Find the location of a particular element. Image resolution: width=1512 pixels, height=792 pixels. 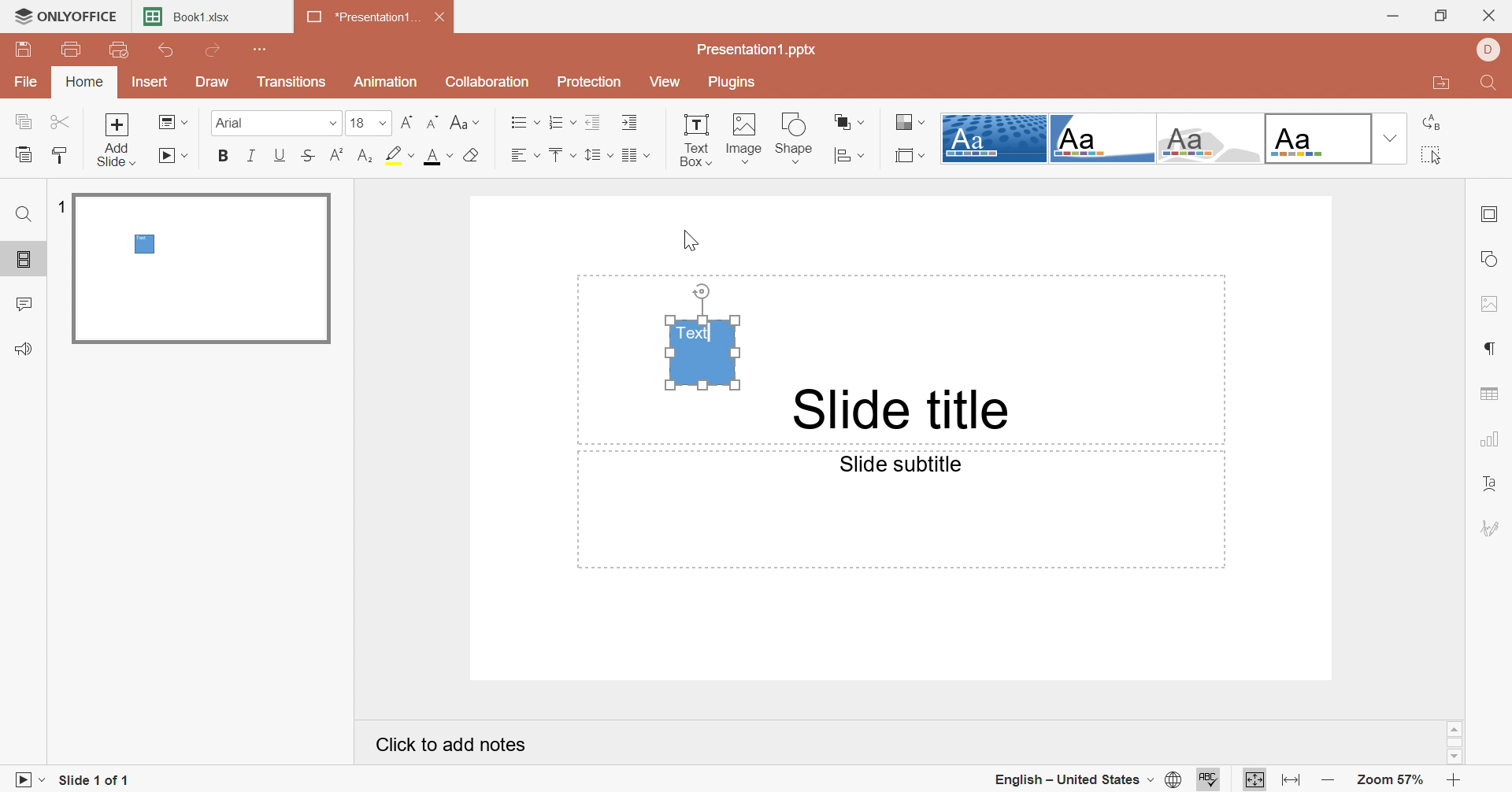

Chart settings is located at coordinates (1489, 439).